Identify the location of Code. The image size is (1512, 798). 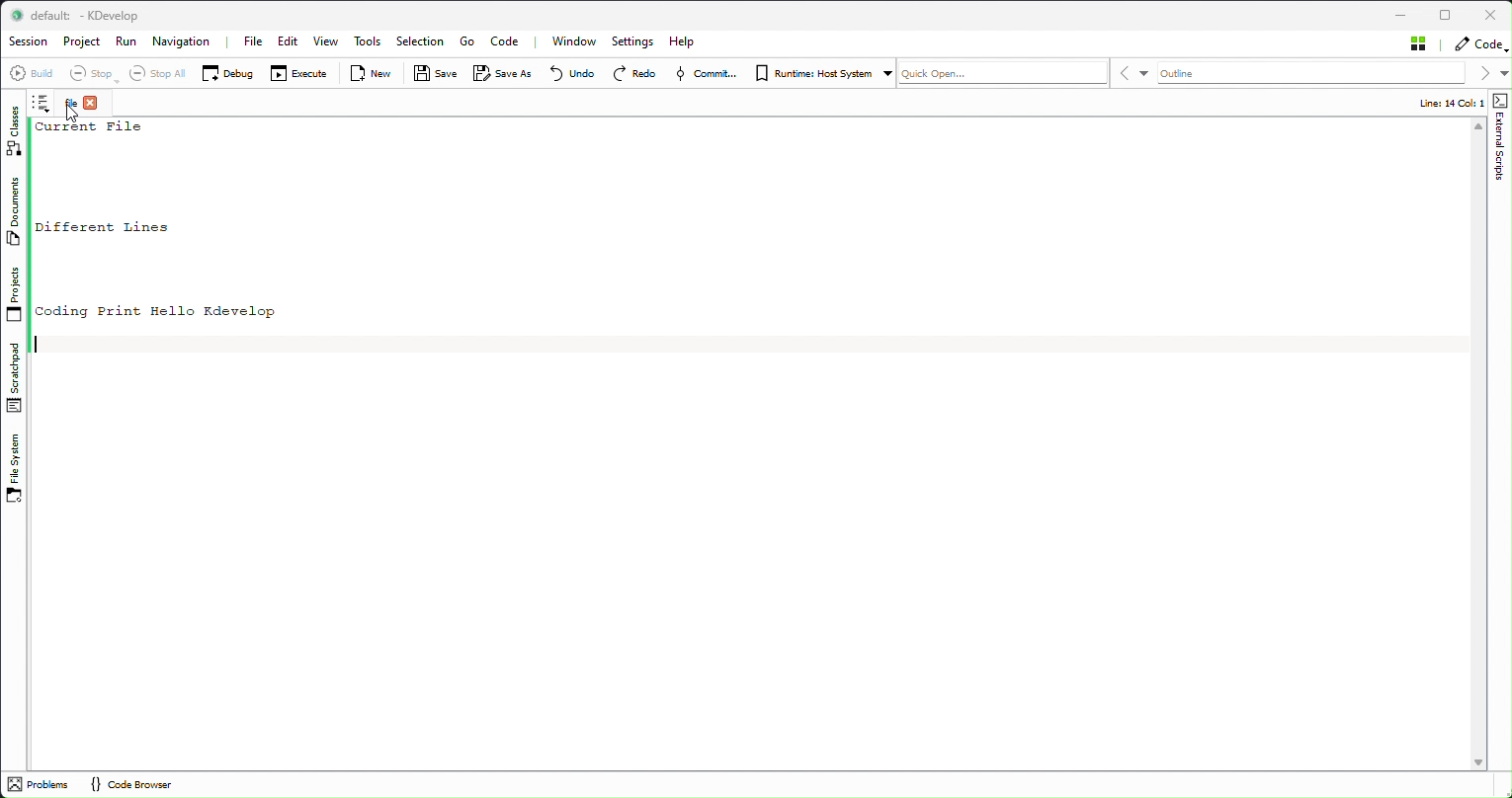
(1479, 45).